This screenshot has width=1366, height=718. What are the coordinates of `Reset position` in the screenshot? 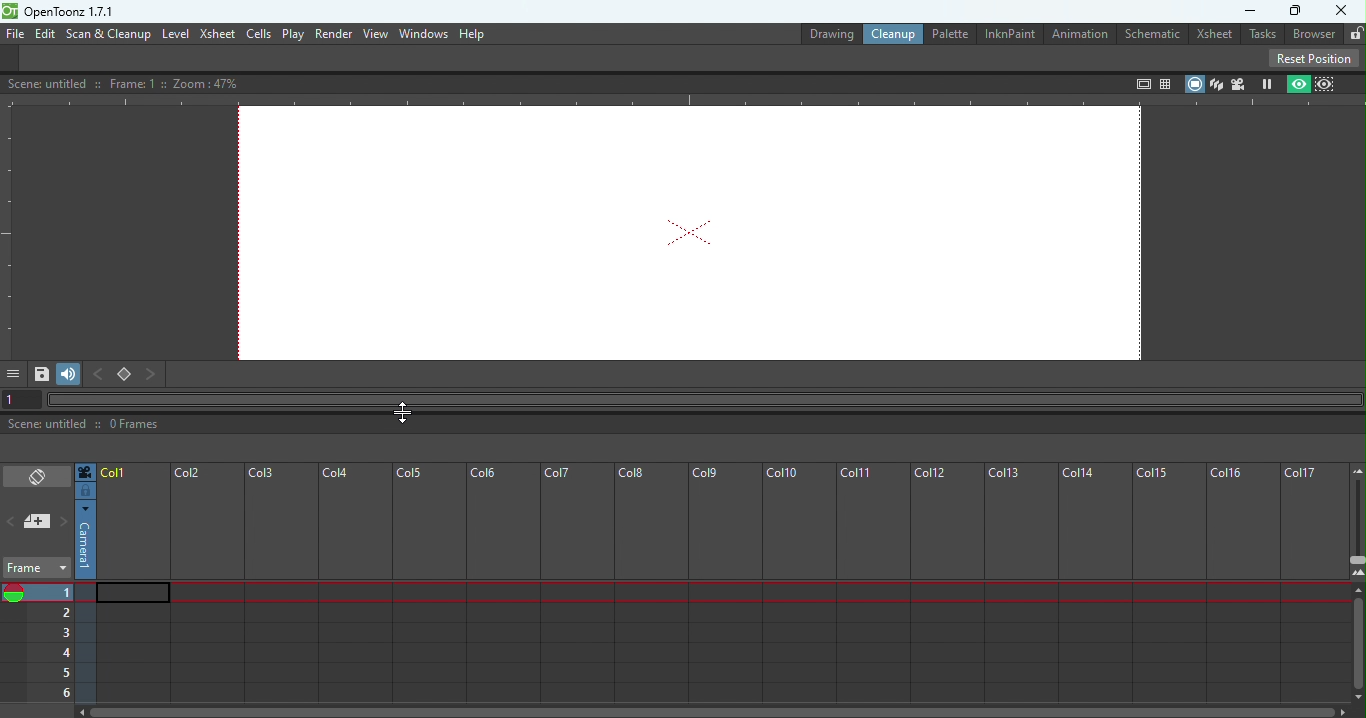 It's located at (1317, 57).